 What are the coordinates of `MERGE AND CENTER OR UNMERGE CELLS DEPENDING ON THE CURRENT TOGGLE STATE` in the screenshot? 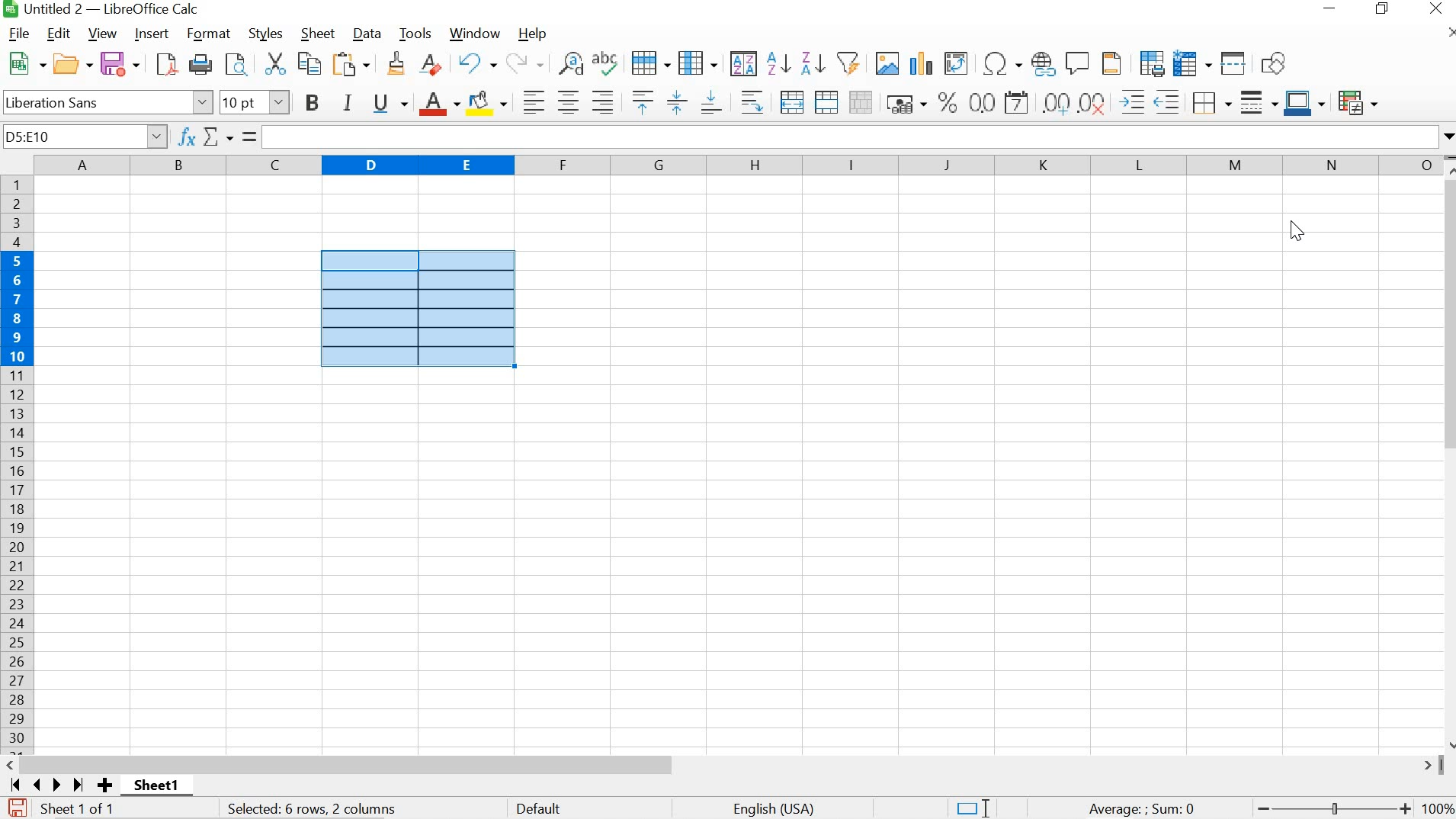 It's located at (793, 101).